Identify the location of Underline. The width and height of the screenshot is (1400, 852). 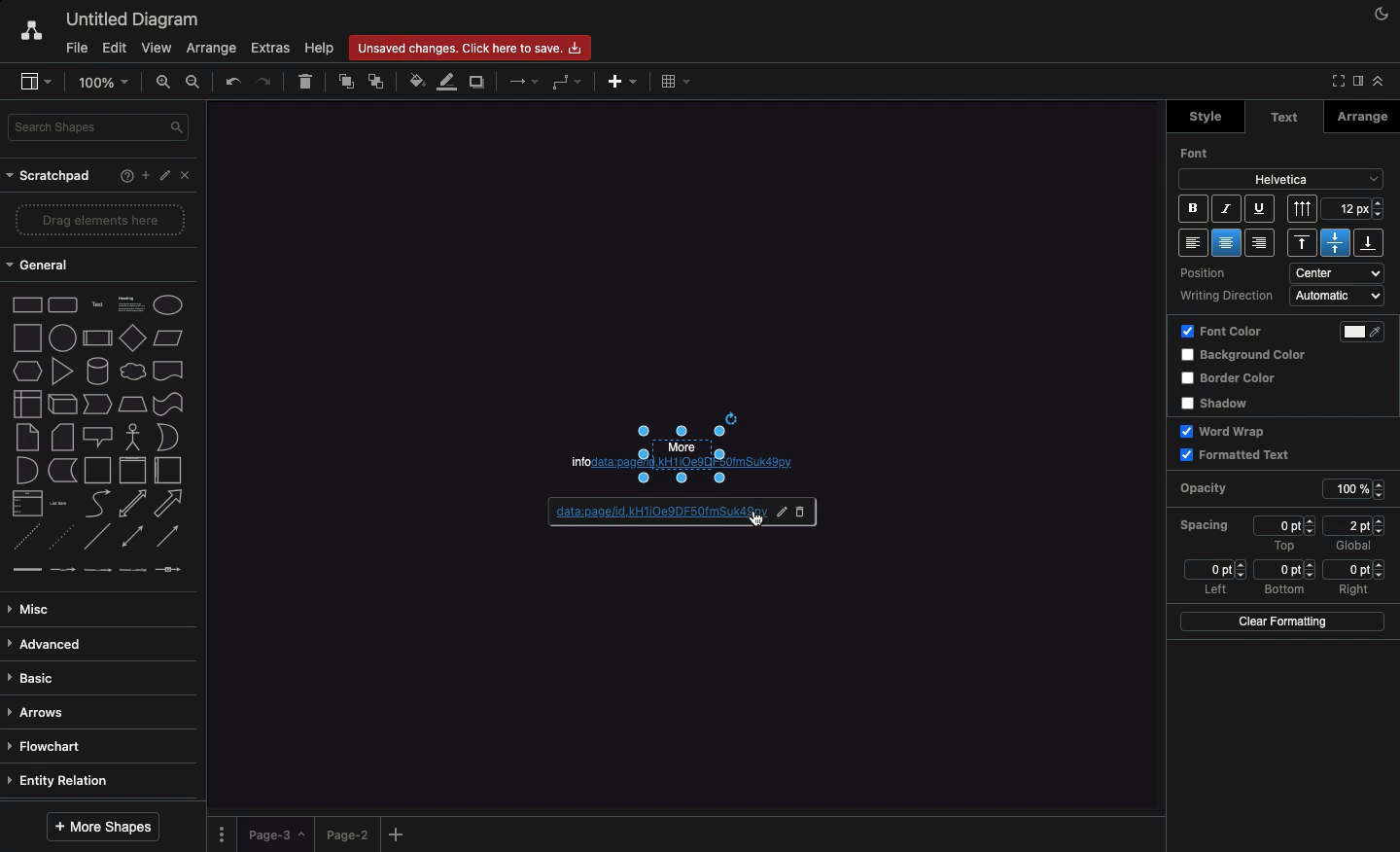
(1258, 208).